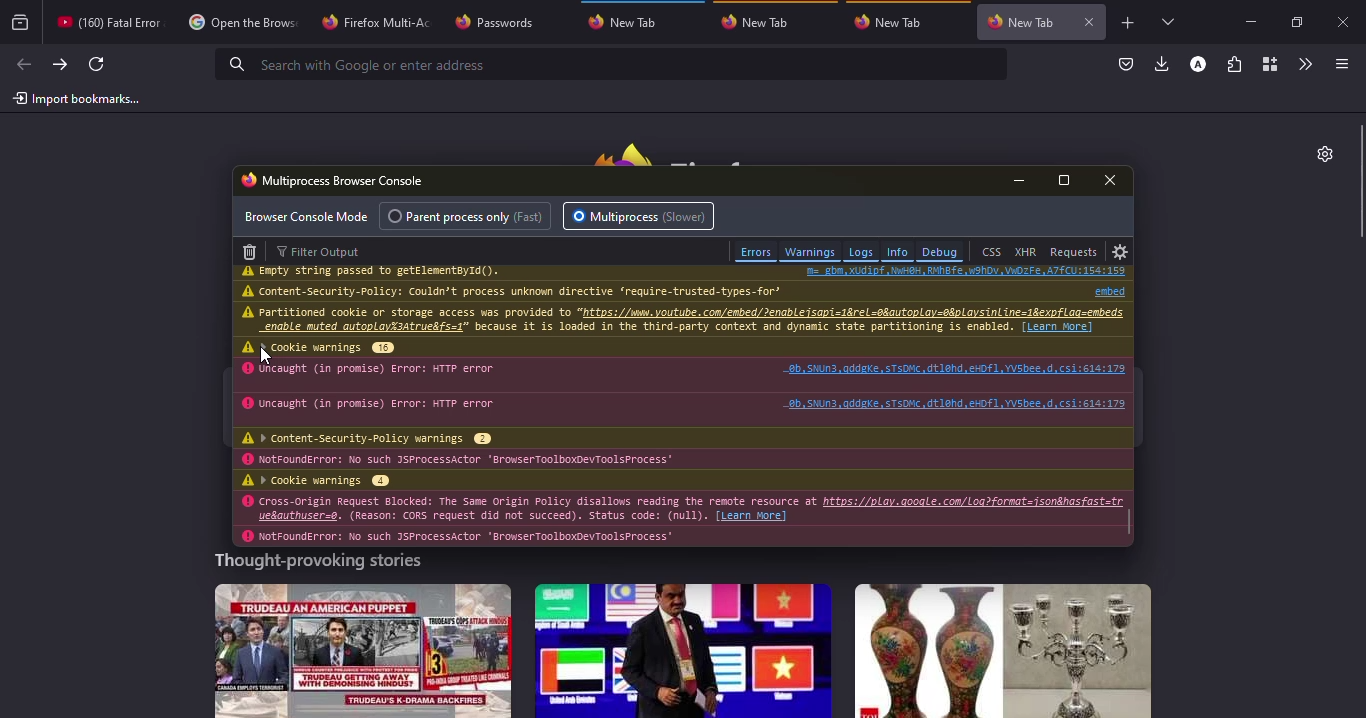 Image resolution: width=1366 pixels, height=718 pixels. I want to click on bin, so click(250, 250).